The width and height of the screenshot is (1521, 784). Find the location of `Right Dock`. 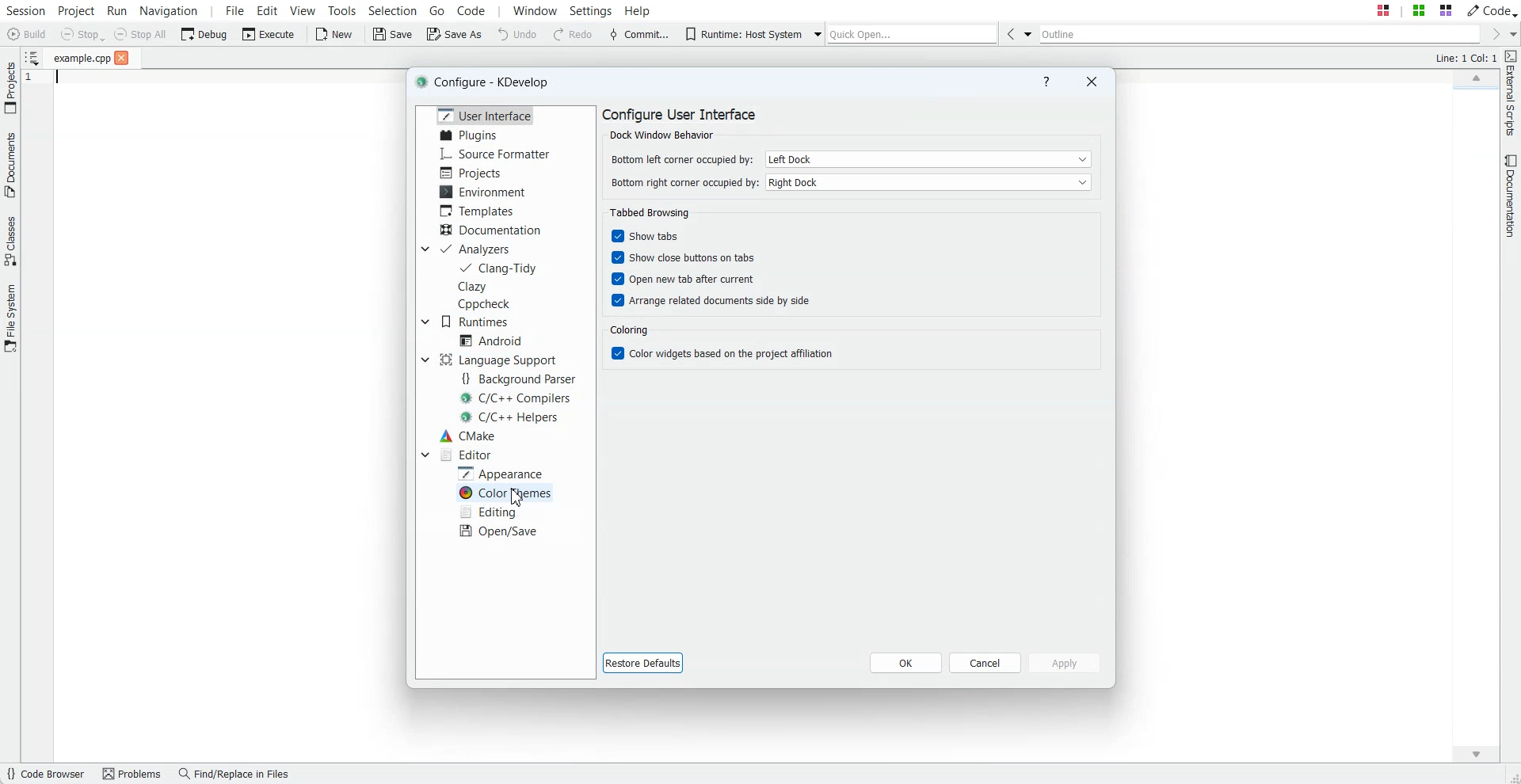

Right Dock is located at coordinates (928, 182).